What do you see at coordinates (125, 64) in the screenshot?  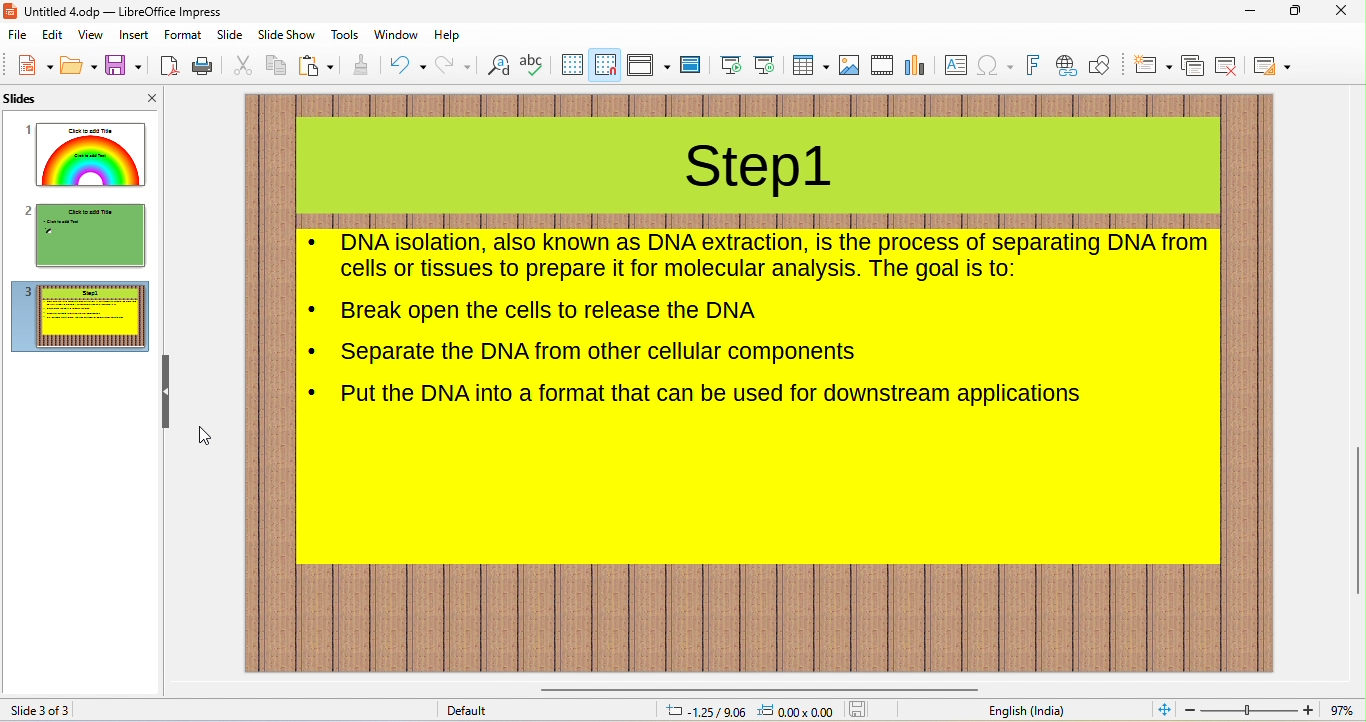 I see `save` at bounding box center [125, 64].